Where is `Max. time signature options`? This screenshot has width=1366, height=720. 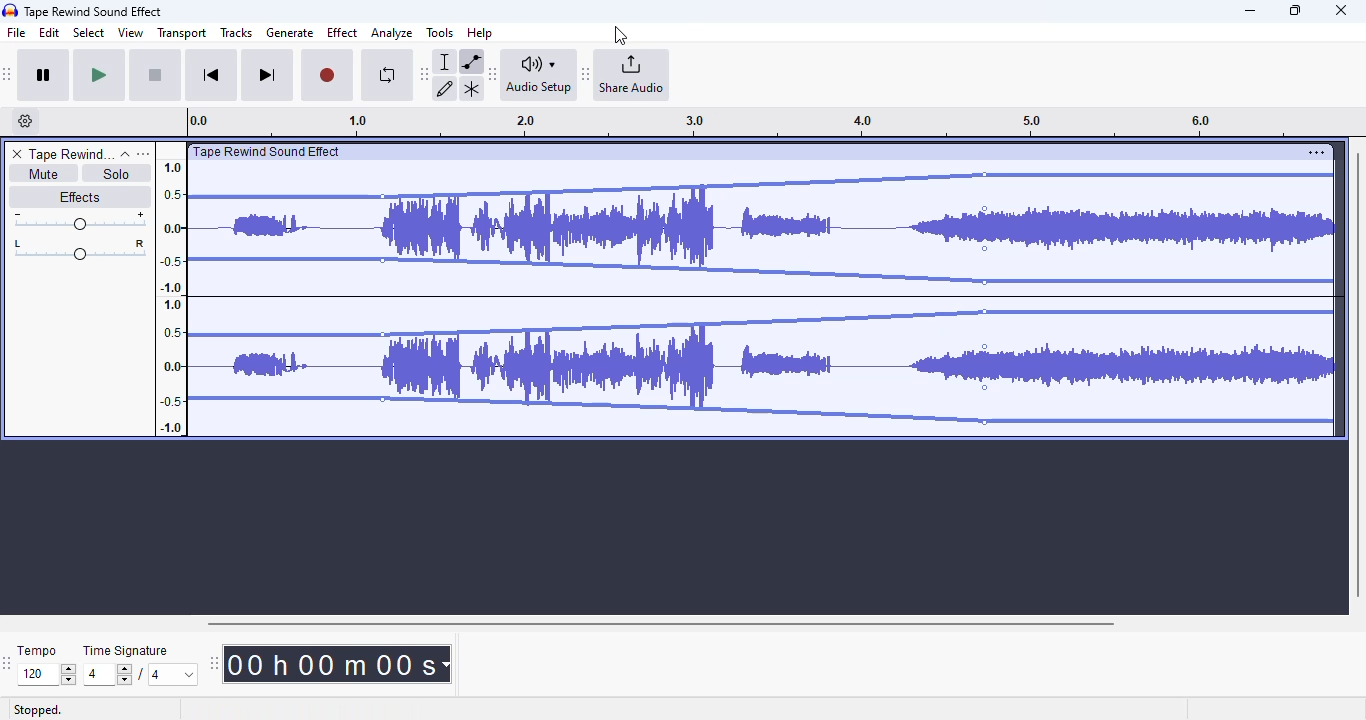
Max. time signature options is located at coordinates (174, 674).